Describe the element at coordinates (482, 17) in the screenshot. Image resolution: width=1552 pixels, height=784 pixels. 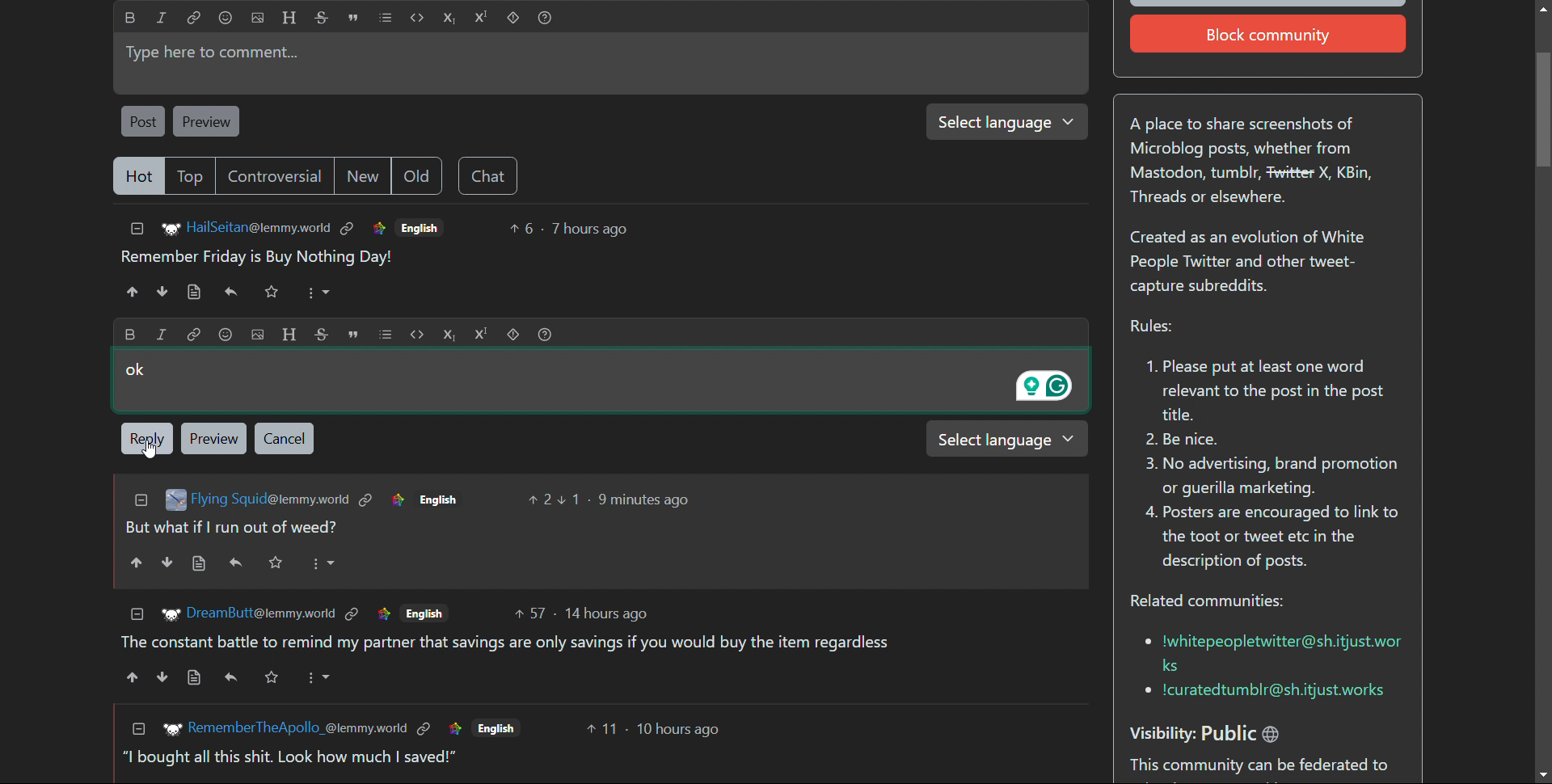
I see `superscript` at that location.